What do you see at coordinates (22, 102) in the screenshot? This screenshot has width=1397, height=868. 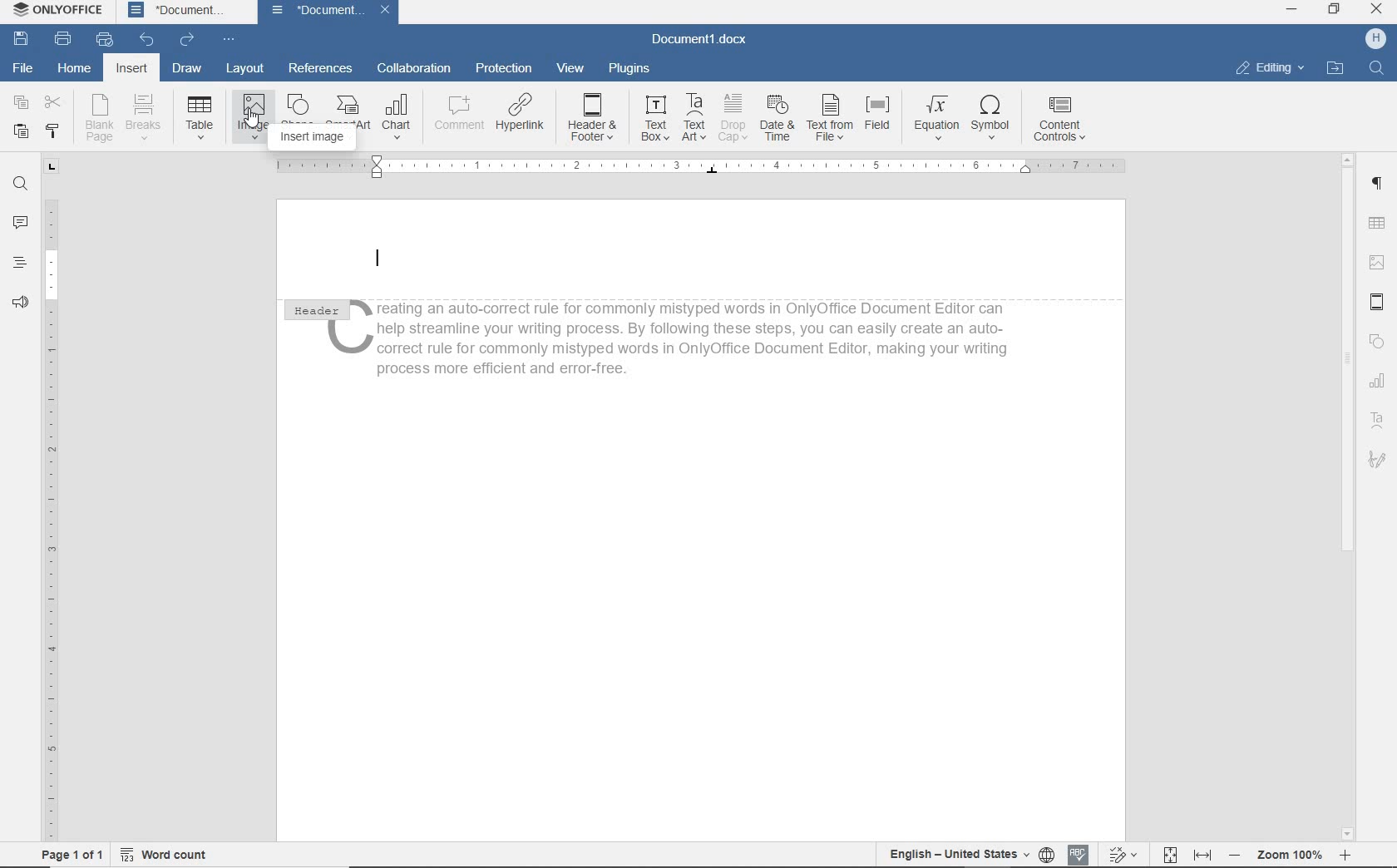 I see `COPY` at bounding box center [22, 102].